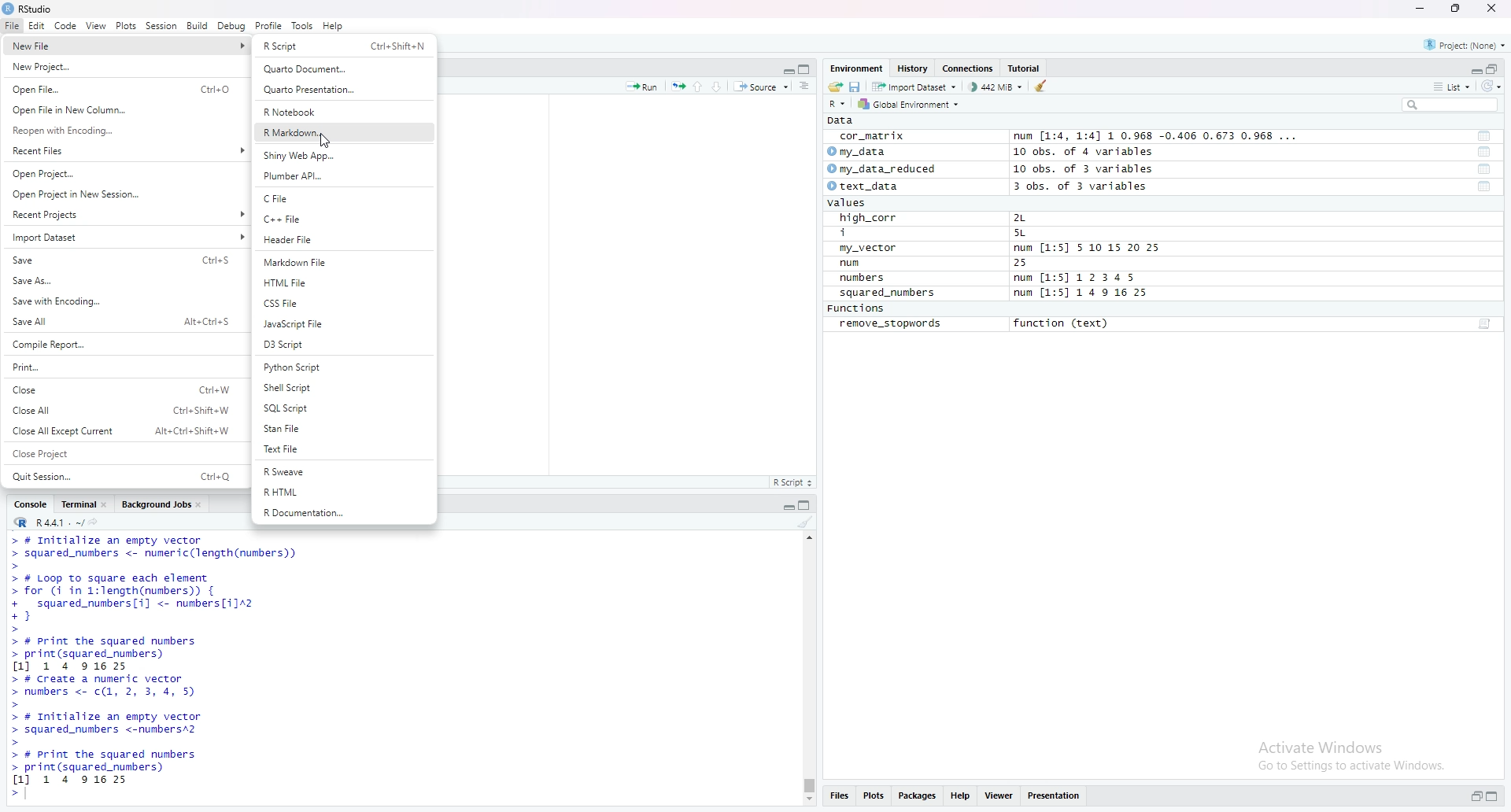  What do you see at coordinates (10, 25) in the screenshot?
I see `File` at bounding box center [10, 25].